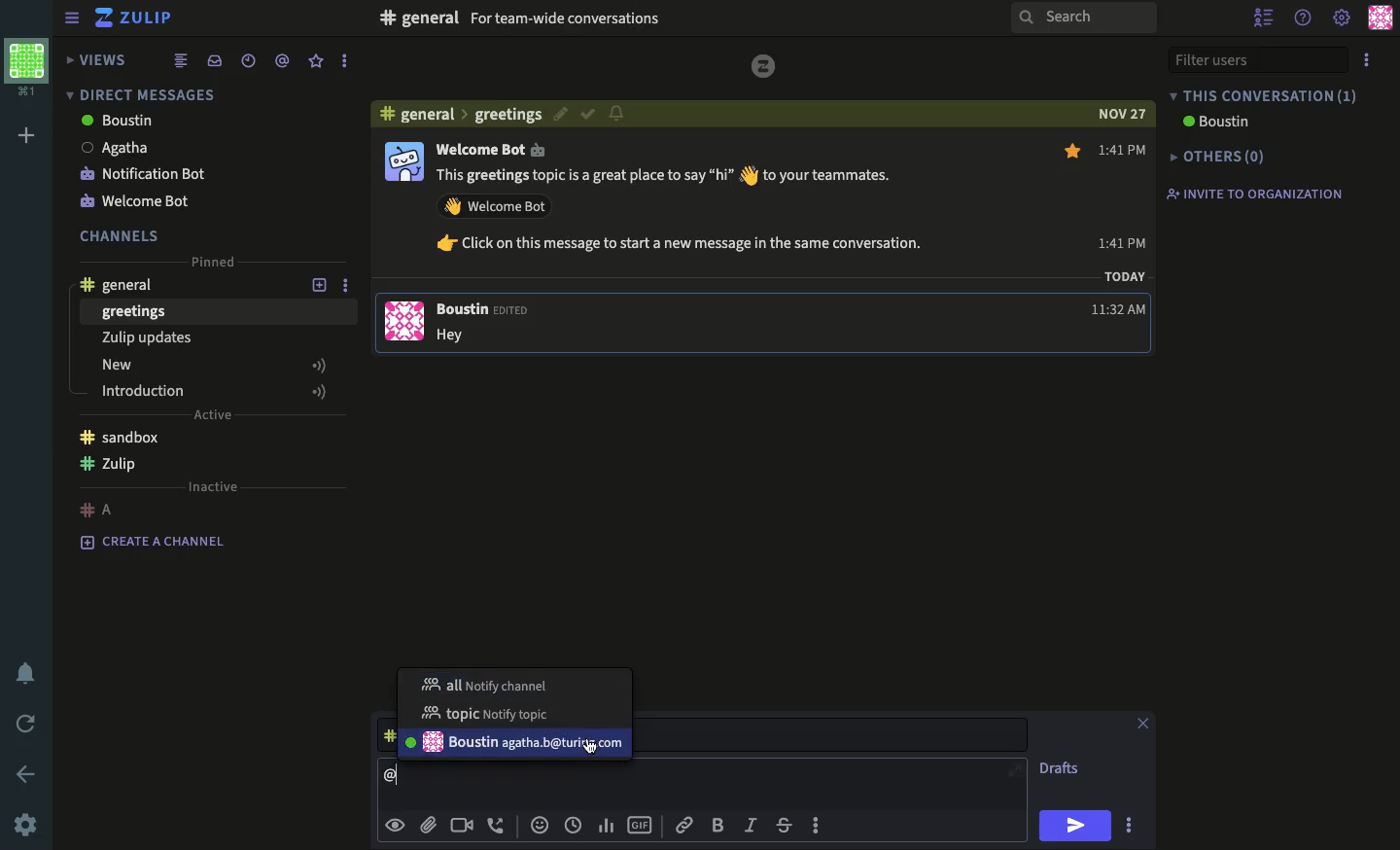  Describe the element at coordinates (1125, 275) in the screenshot. I see `TODAY` at that location.